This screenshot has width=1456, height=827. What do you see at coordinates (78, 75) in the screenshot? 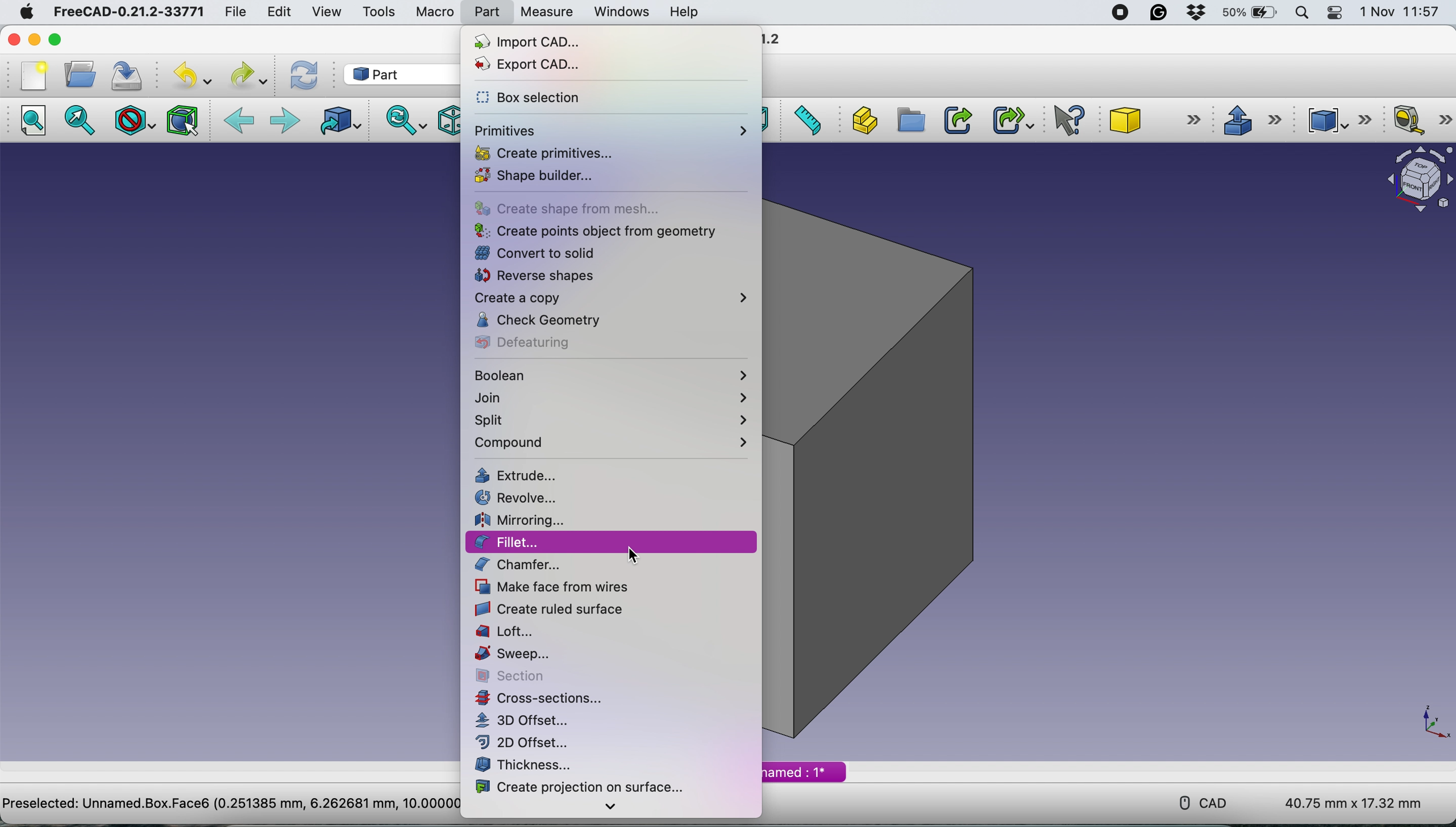
I see `open` at bounding box center [78, 75].